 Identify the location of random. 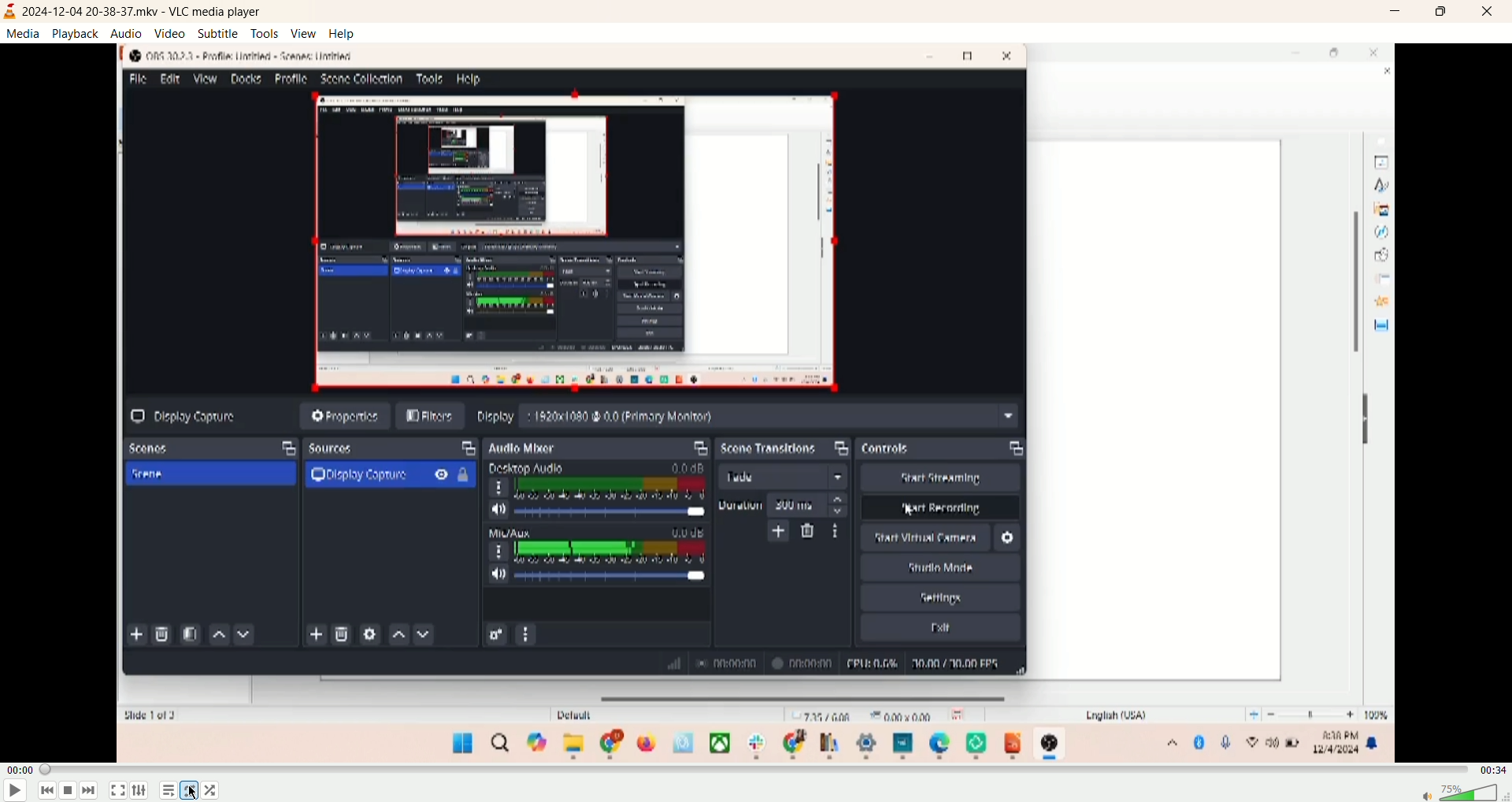
(209, 791).